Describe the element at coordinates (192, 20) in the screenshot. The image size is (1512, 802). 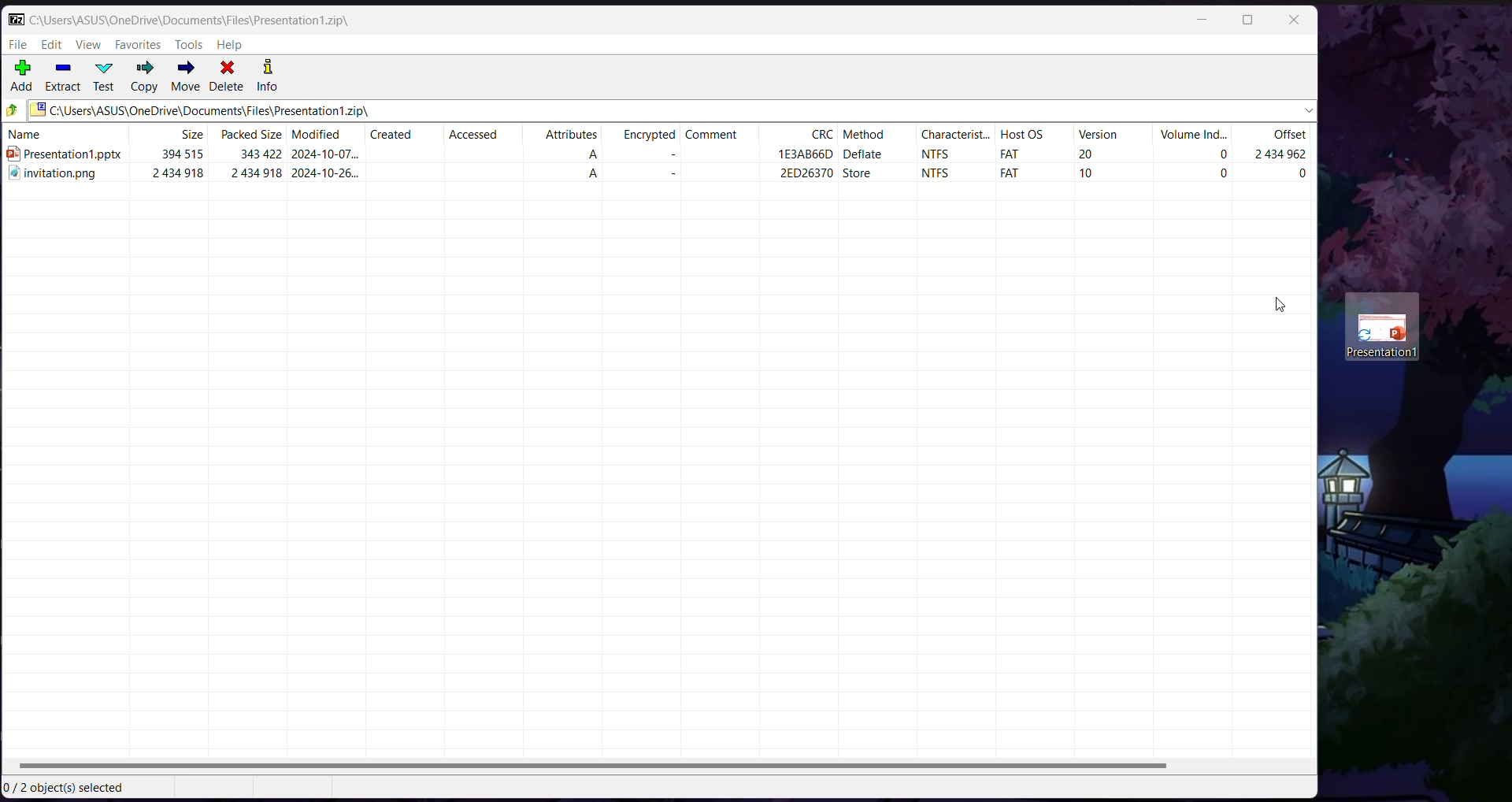
I see `Current Folder Path` at that location.